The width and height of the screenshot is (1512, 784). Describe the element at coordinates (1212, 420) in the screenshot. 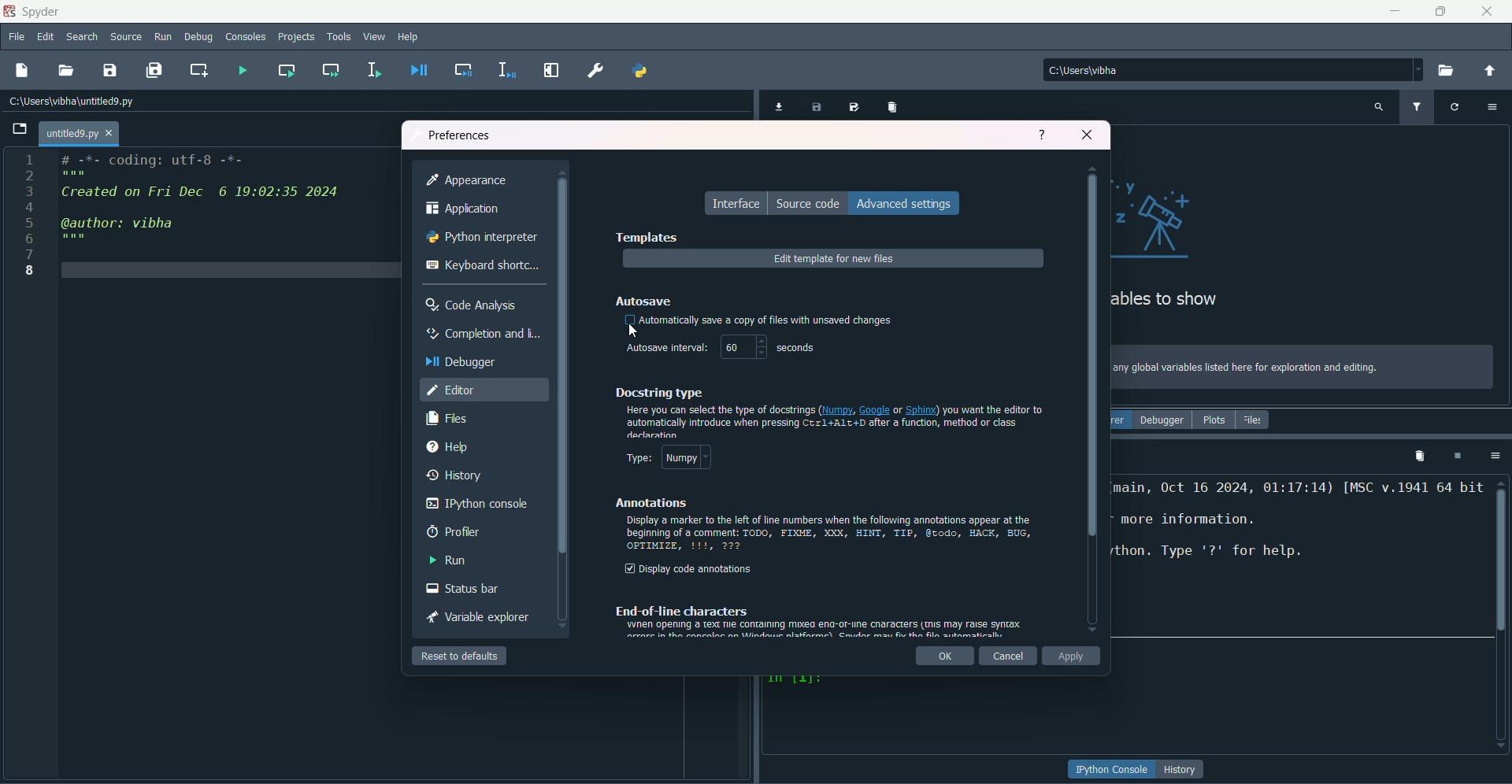

I see `plots` at that location.